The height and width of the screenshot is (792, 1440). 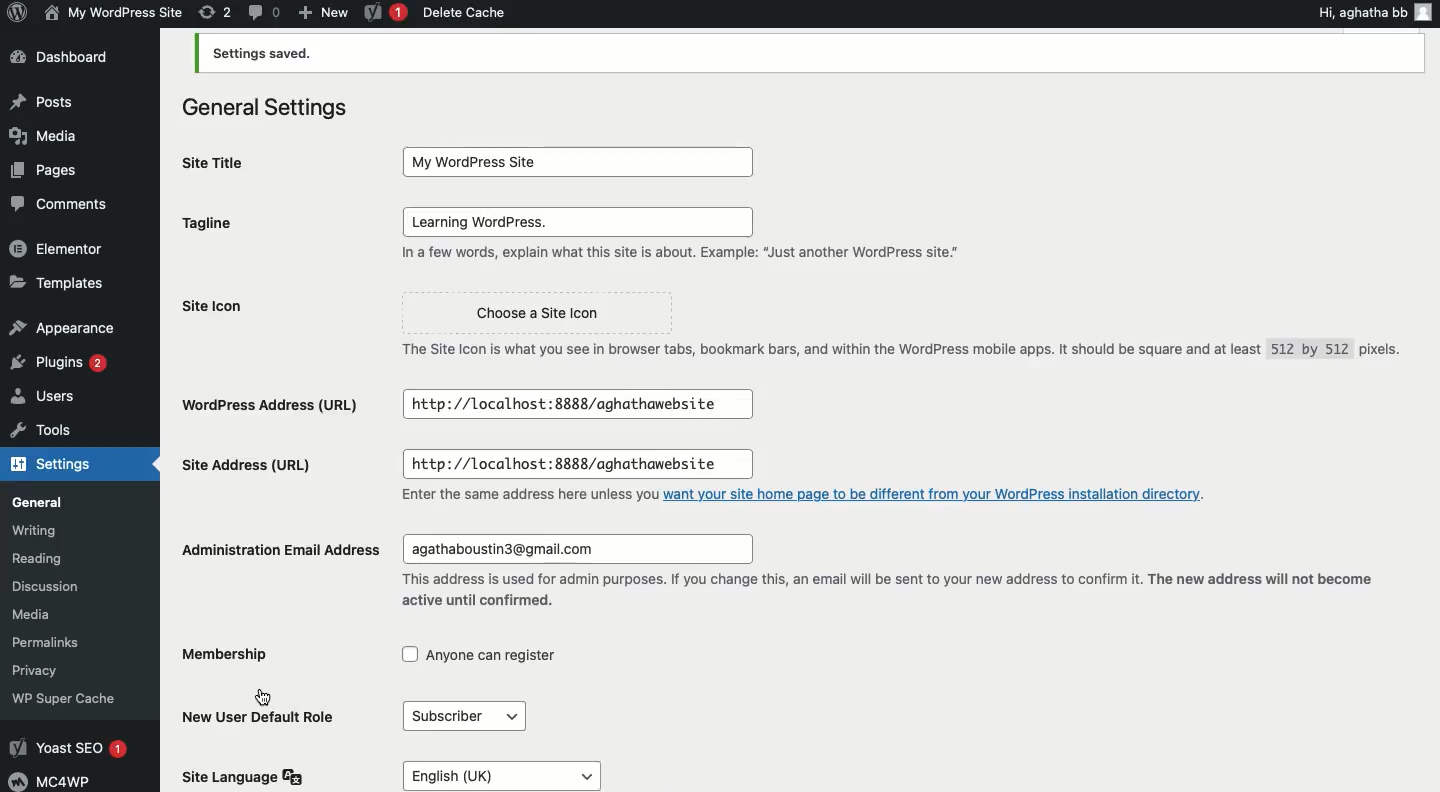 What do you see at coordinates (58, 363) in the screenshot?
I see `Plugins 2` at bounding box center [58, 363].